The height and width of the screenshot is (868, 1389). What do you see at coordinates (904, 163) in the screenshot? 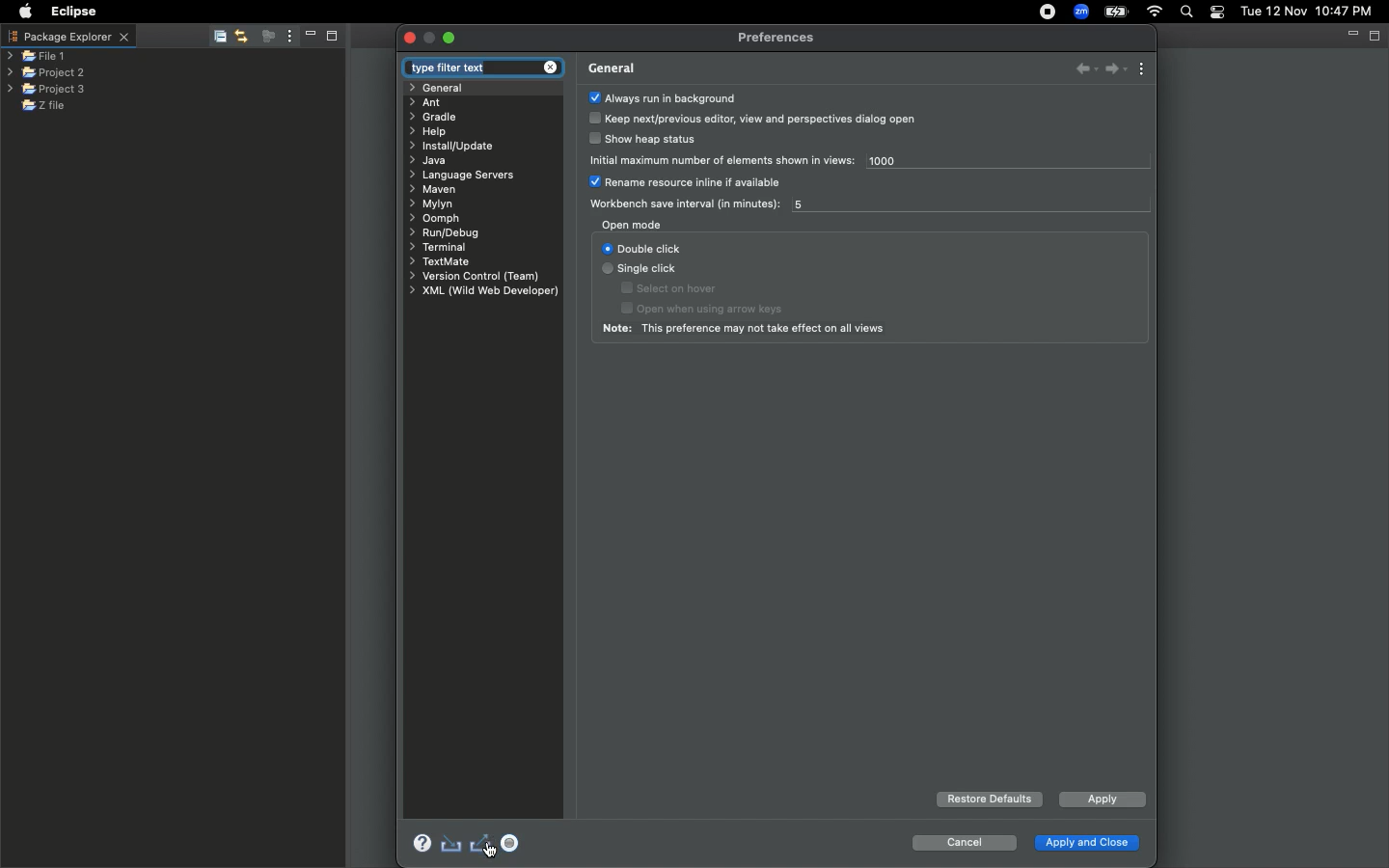
I see `1000` at bounding box center [904, 163].